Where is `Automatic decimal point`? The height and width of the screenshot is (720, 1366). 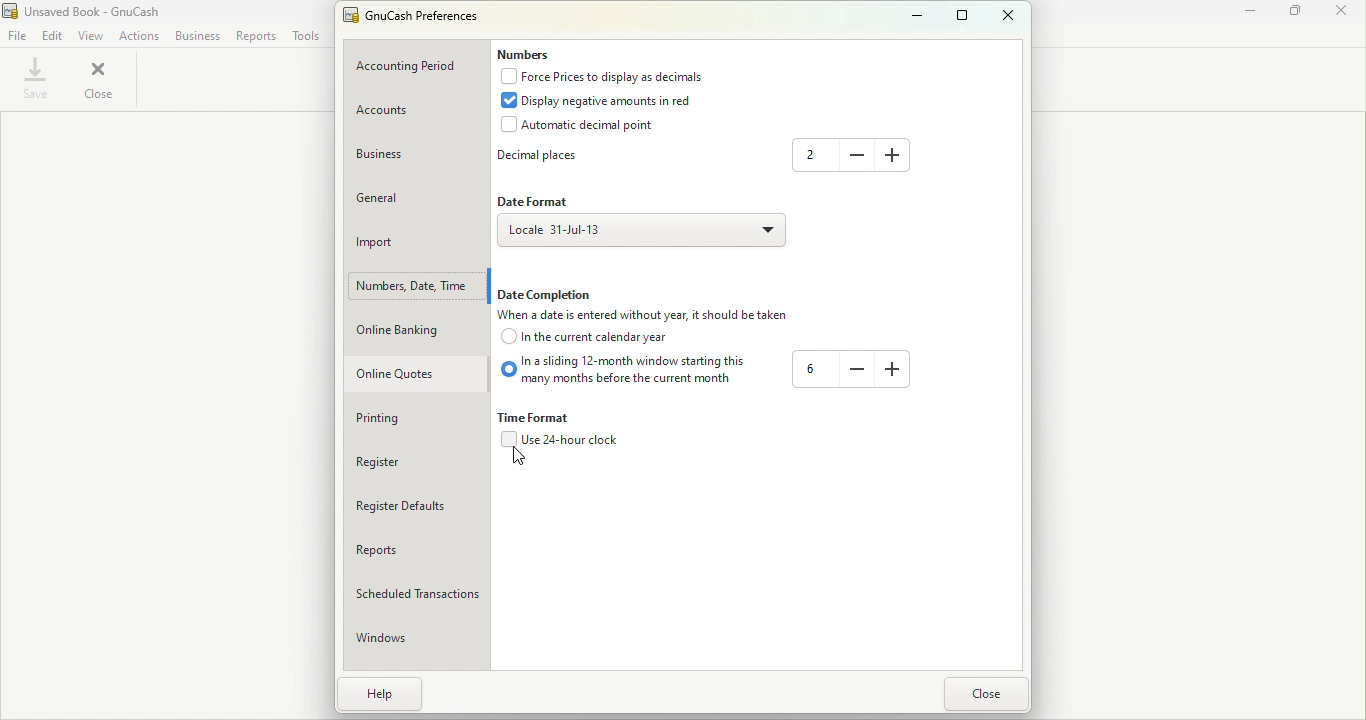
Automatic decimal point is located at coordinates (573, 121).